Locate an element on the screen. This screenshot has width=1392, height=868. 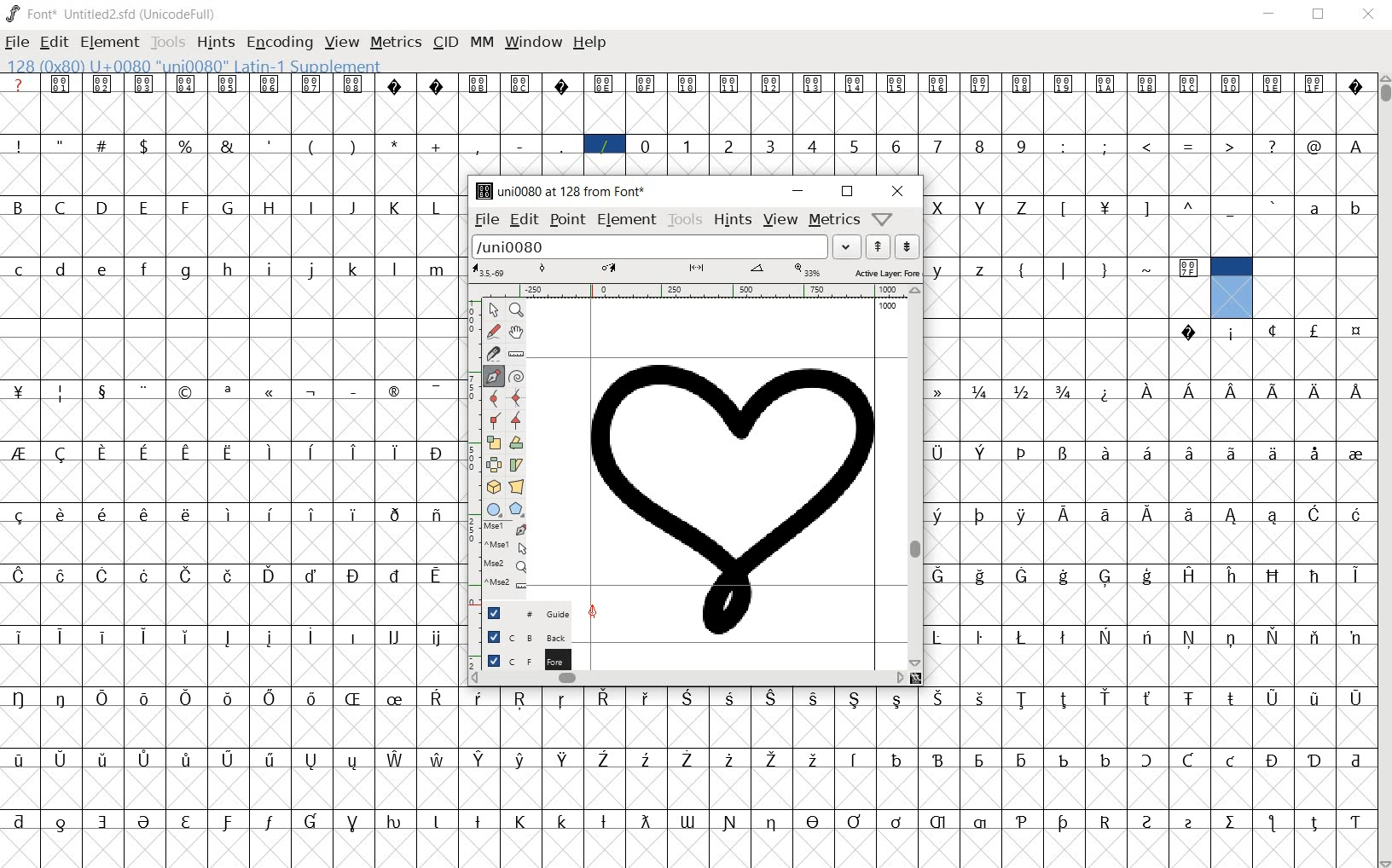
glyph is located at coordinates (143, 269).